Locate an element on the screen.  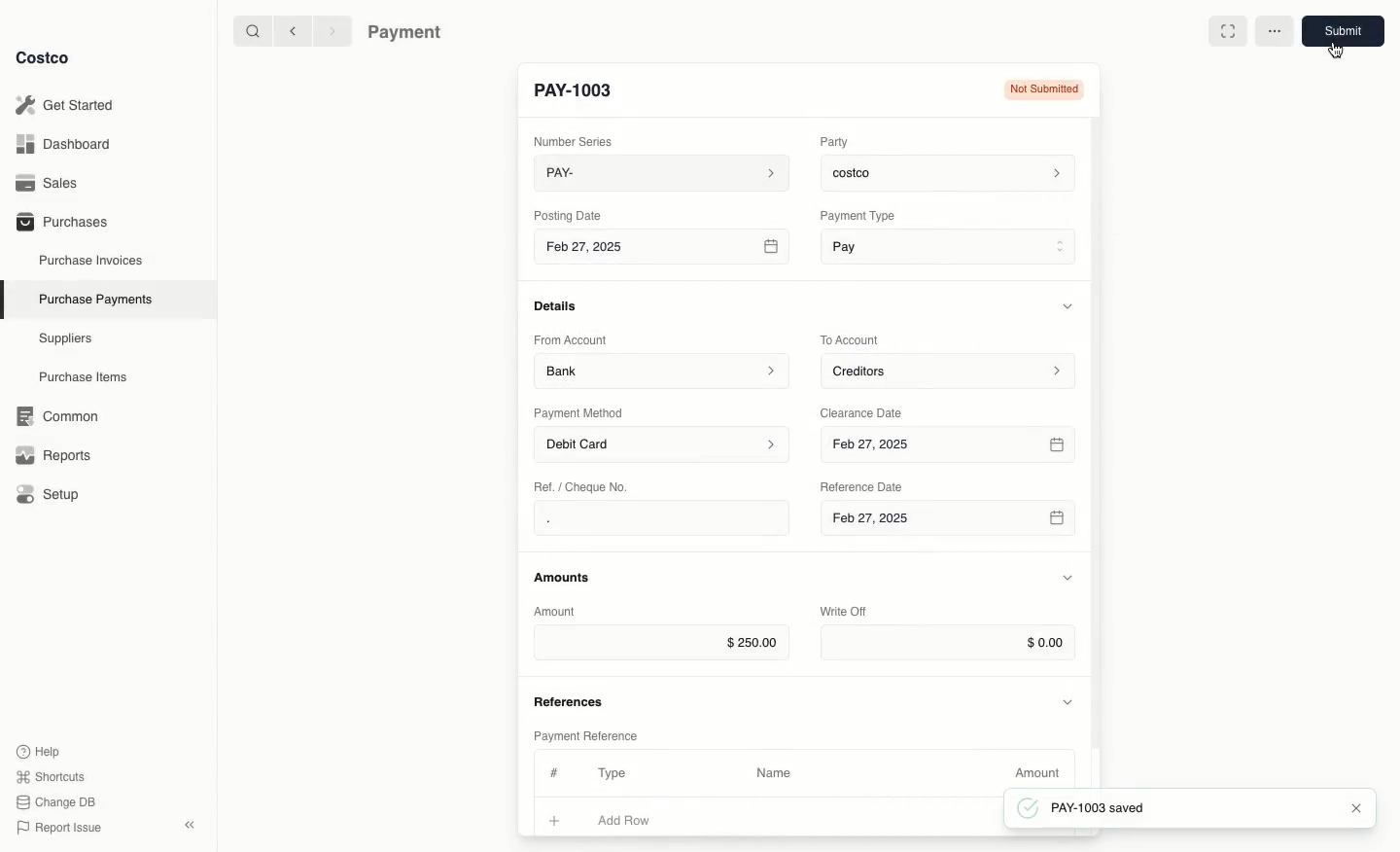
Debit Card is located at coordinates (663, 445).